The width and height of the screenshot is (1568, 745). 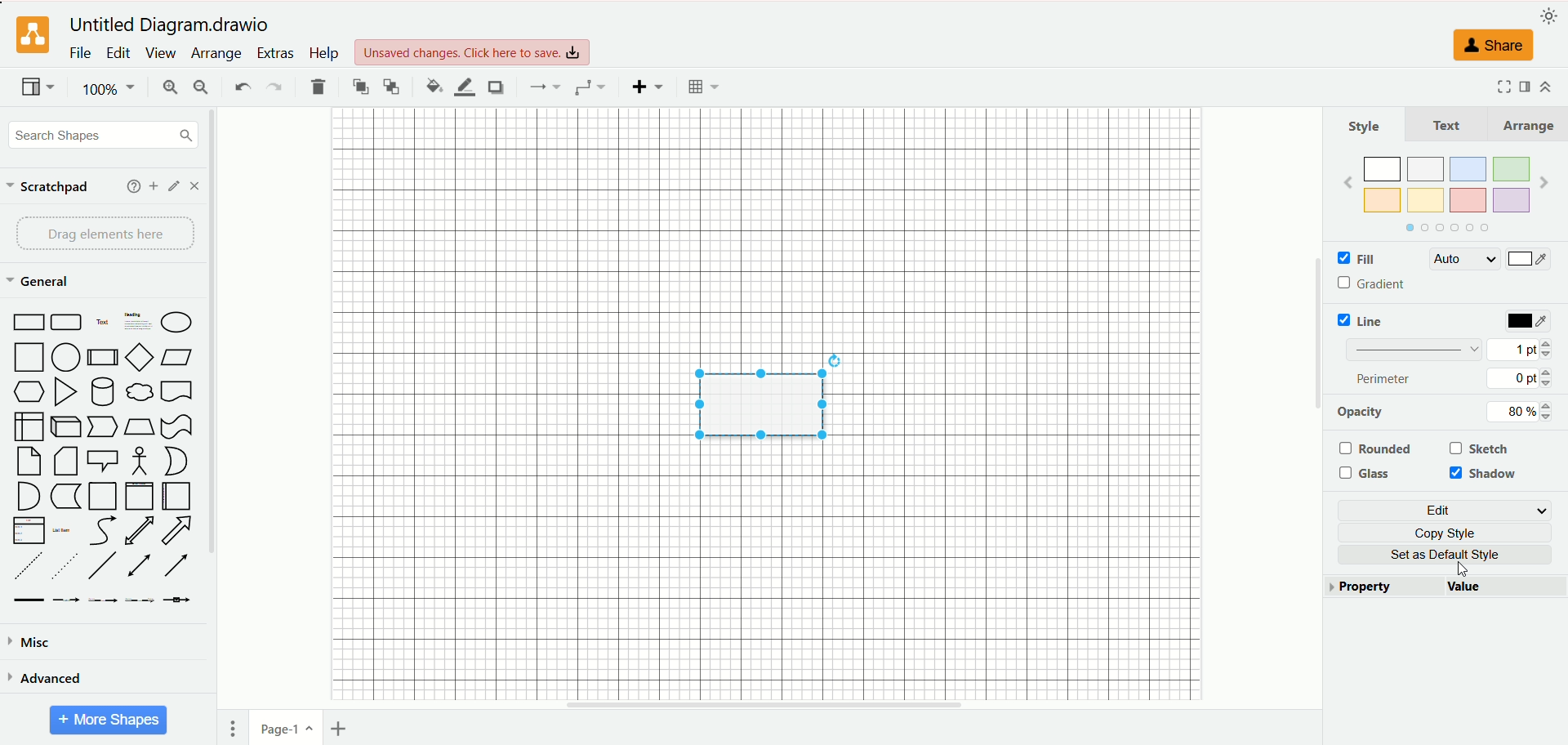 What do you see at coordinates (38, 88) in the screenshot?
I see `view` at bounding box center [38, 88].